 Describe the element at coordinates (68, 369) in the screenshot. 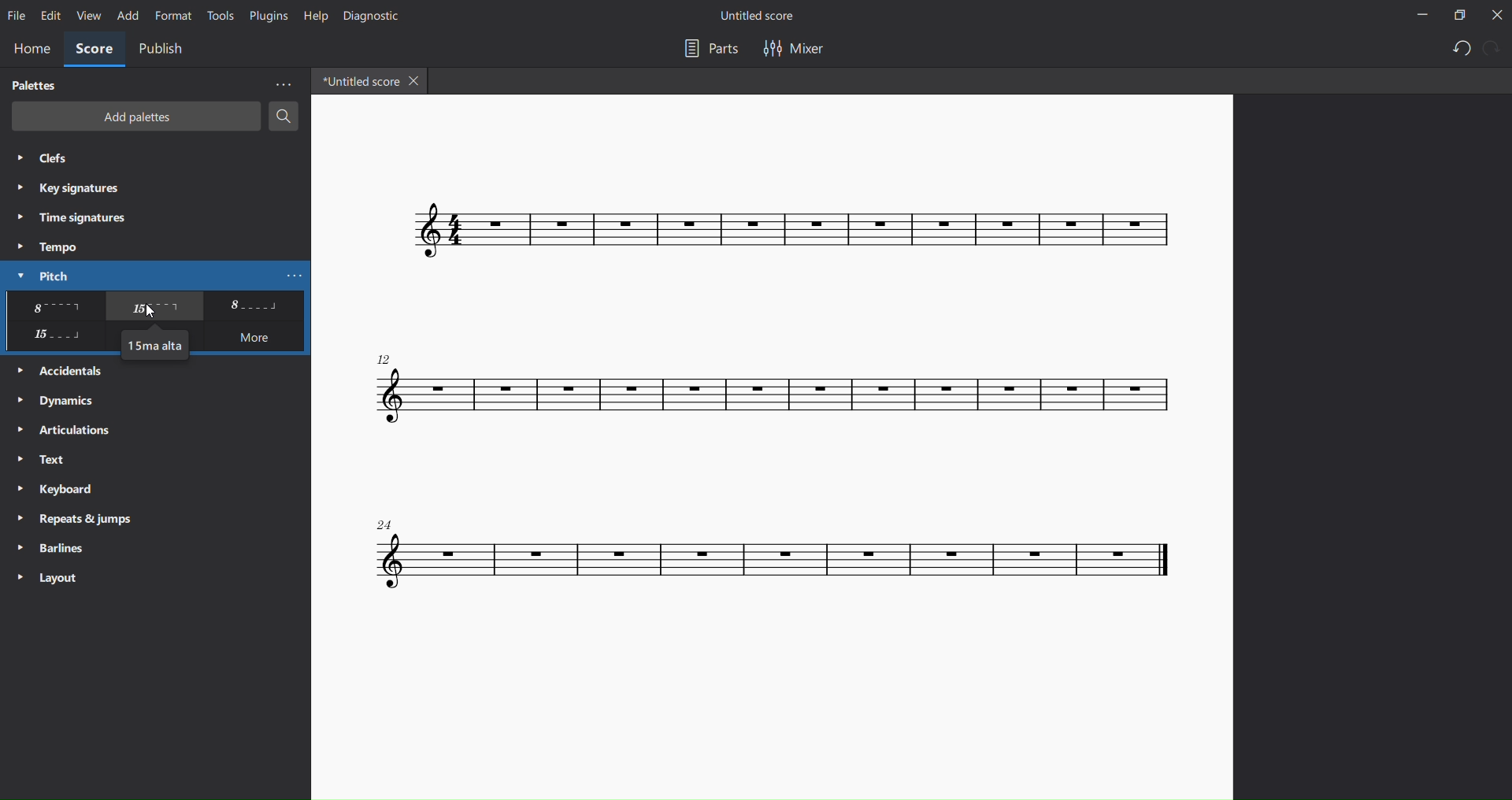

I see `accidentals` at that location.